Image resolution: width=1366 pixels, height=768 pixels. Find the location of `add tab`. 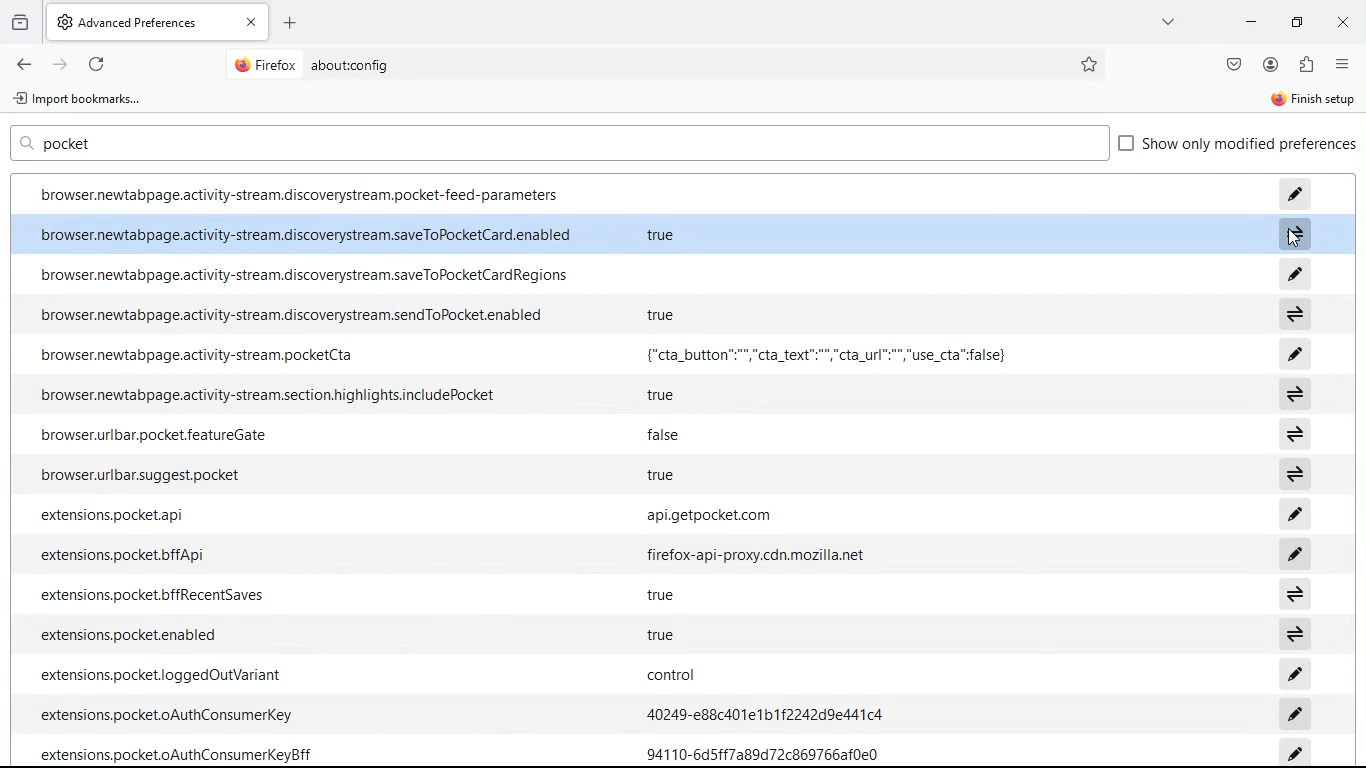

add tab is located at coordinates (295, 21).